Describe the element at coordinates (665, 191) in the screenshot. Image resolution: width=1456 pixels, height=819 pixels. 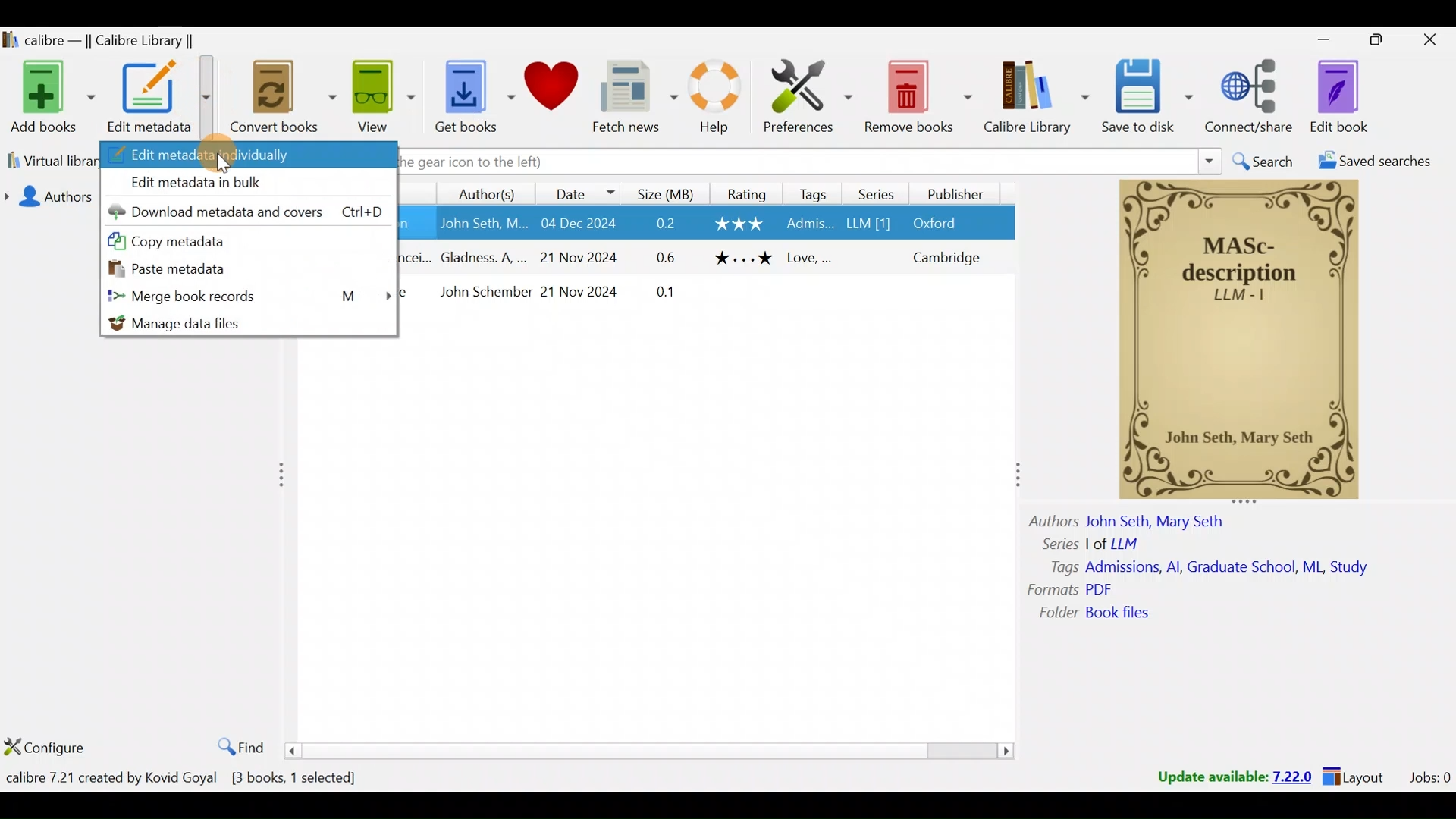
I see `Size` at that location.